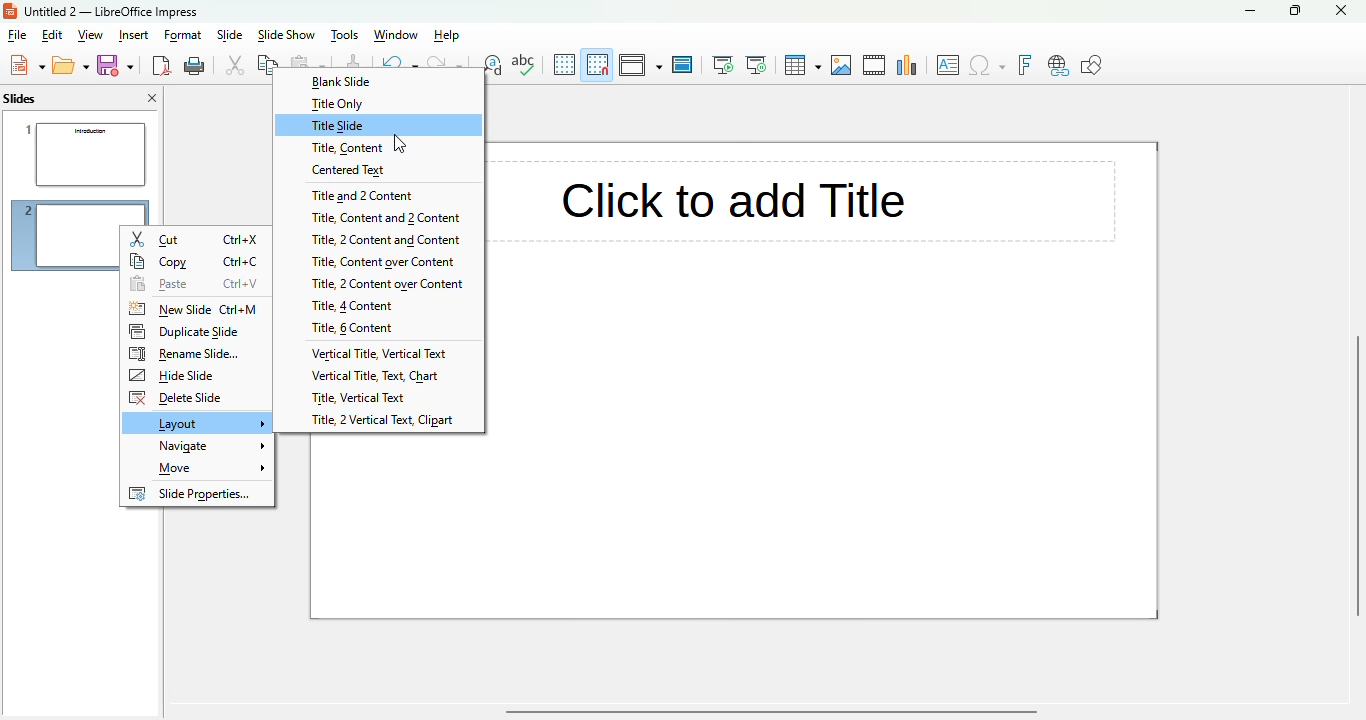 The height and width of the screenshot is (720, 1366). What do you see at coordinates (682, 65) in the screenshot?
I see `master slide` at bounding box center [682, 65].